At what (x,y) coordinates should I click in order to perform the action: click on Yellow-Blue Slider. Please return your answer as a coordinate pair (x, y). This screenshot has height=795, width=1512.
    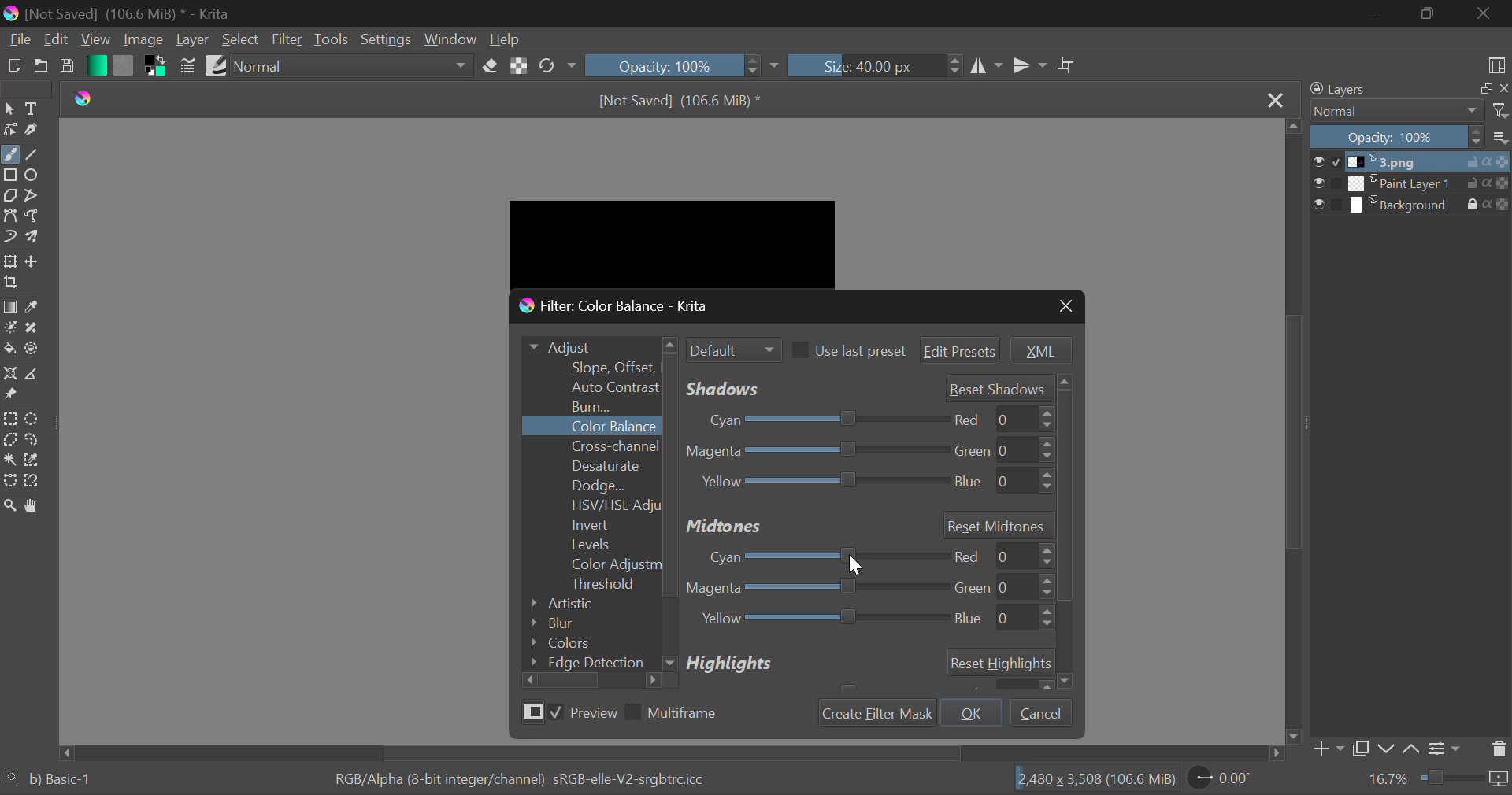
    Looking at the image, I should click on (816, 482).